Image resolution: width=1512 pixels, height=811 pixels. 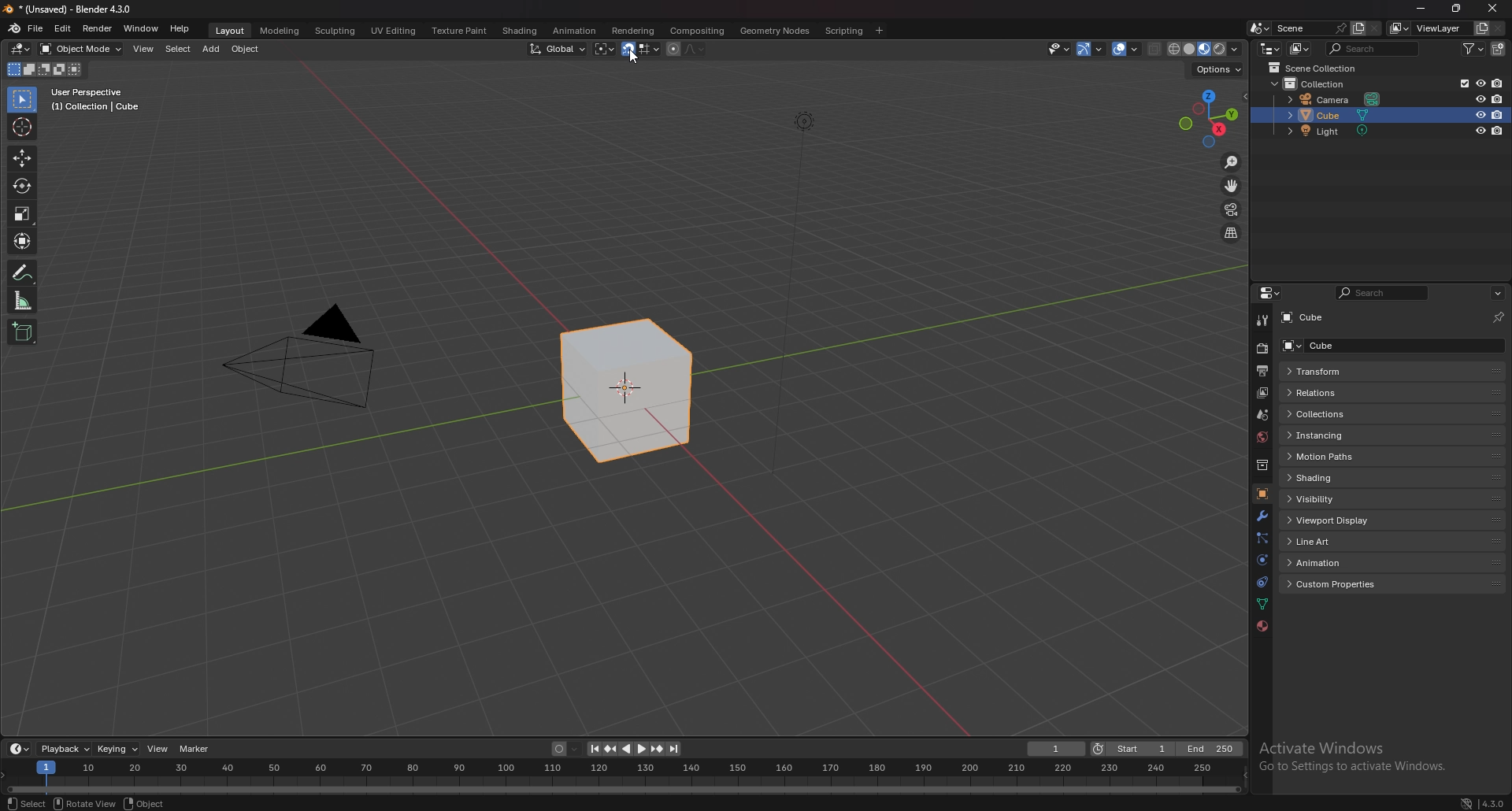 What do you see at coordinates (1336, 457) in the screenshot?
I see `motion paths` at bounding box center [1336, 457].